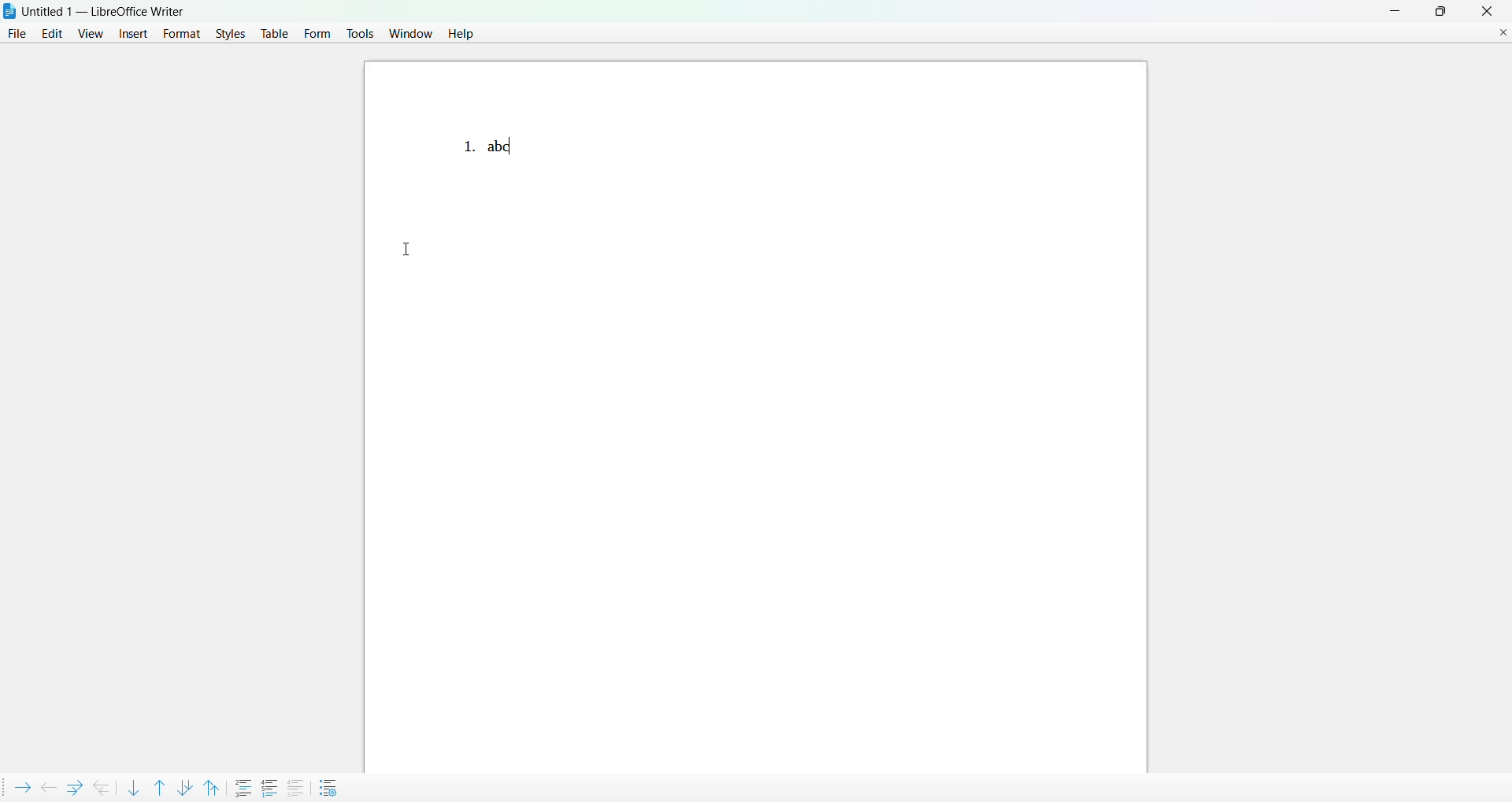  Describe the element at coordinates (102, 786) in the screenshot. I see `promote outline level with subpoints` at that location.